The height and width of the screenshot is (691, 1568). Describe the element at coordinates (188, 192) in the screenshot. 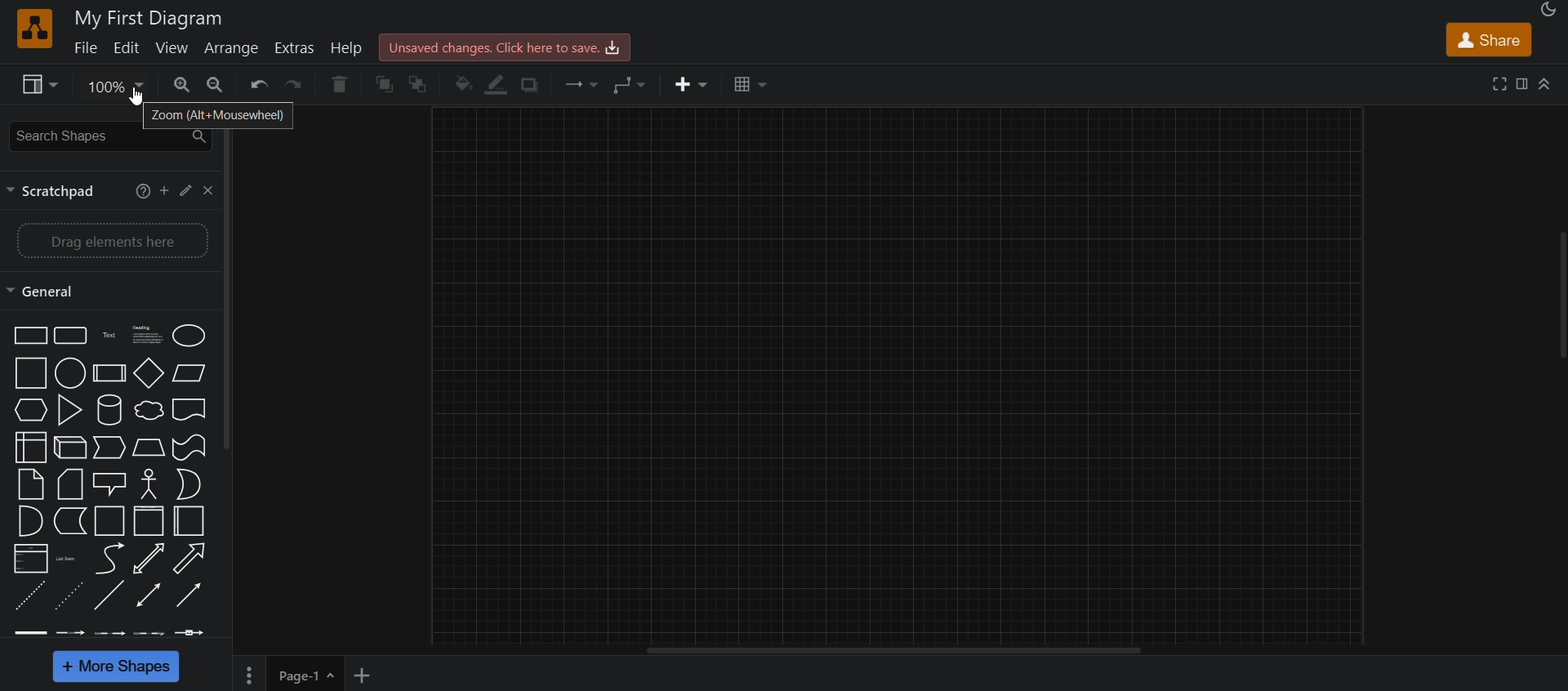

I see `edit` at that location.